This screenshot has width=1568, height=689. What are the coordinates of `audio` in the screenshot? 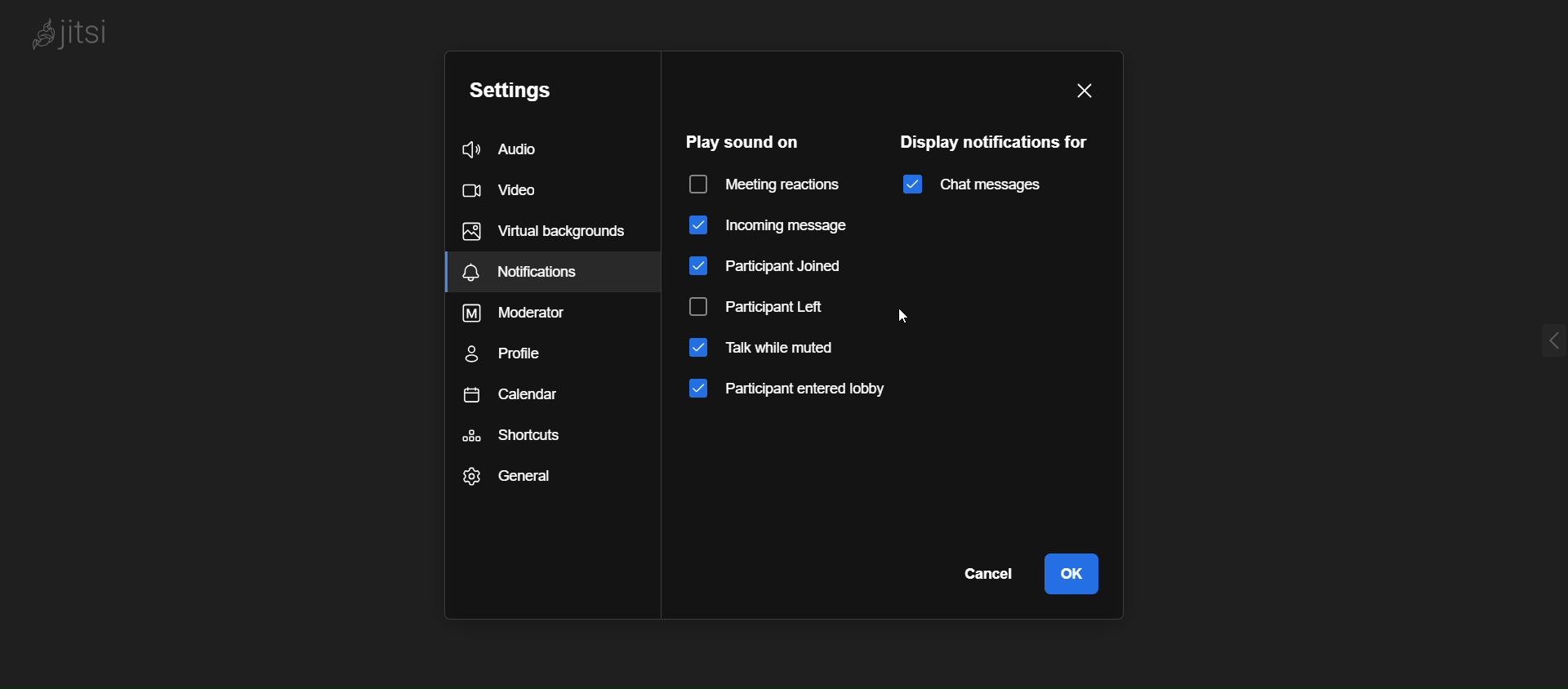 It's located at (509, 149).